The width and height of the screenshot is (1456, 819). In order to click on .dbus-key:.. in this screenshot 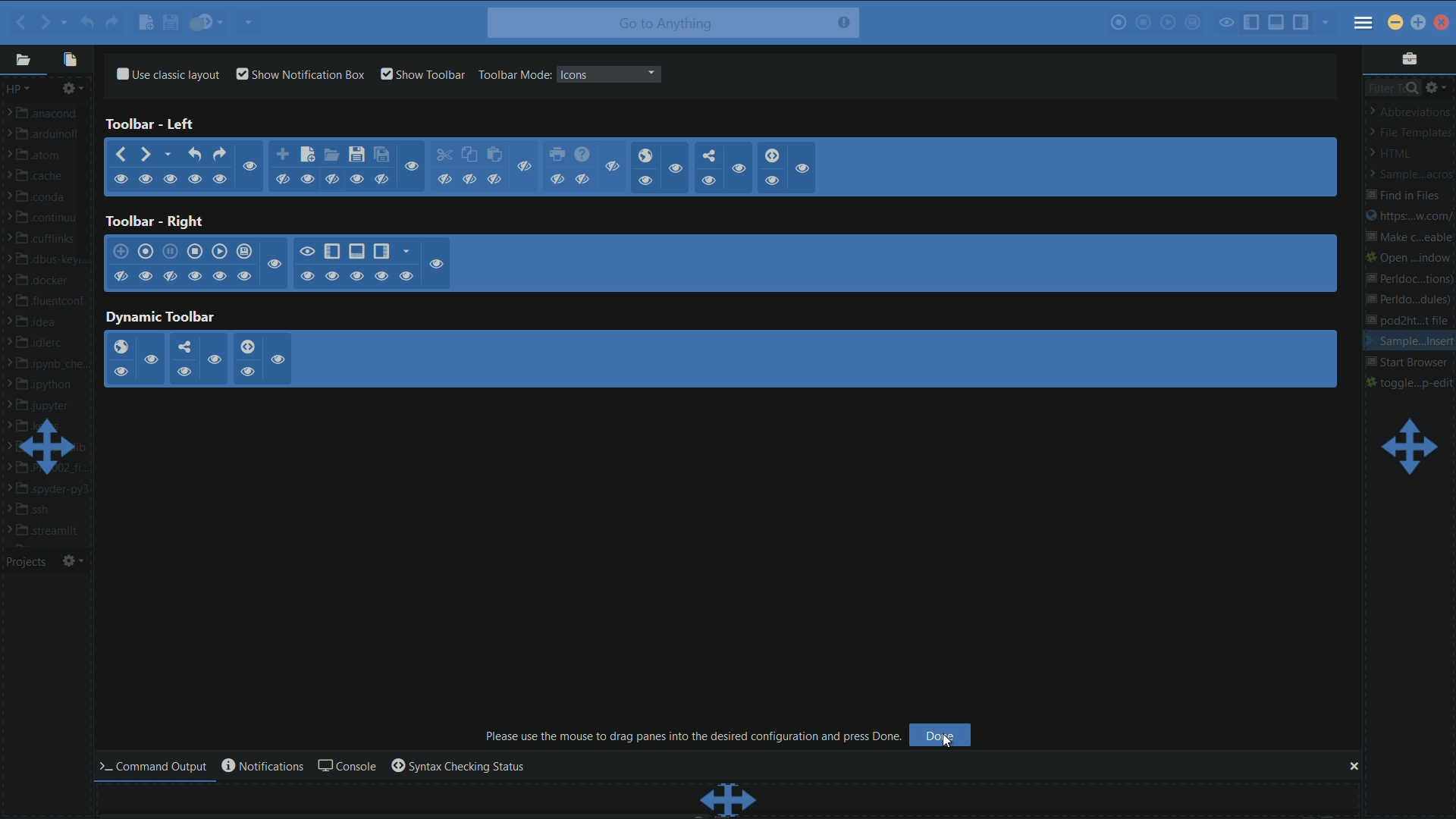, I will do `click(52, 261)`.